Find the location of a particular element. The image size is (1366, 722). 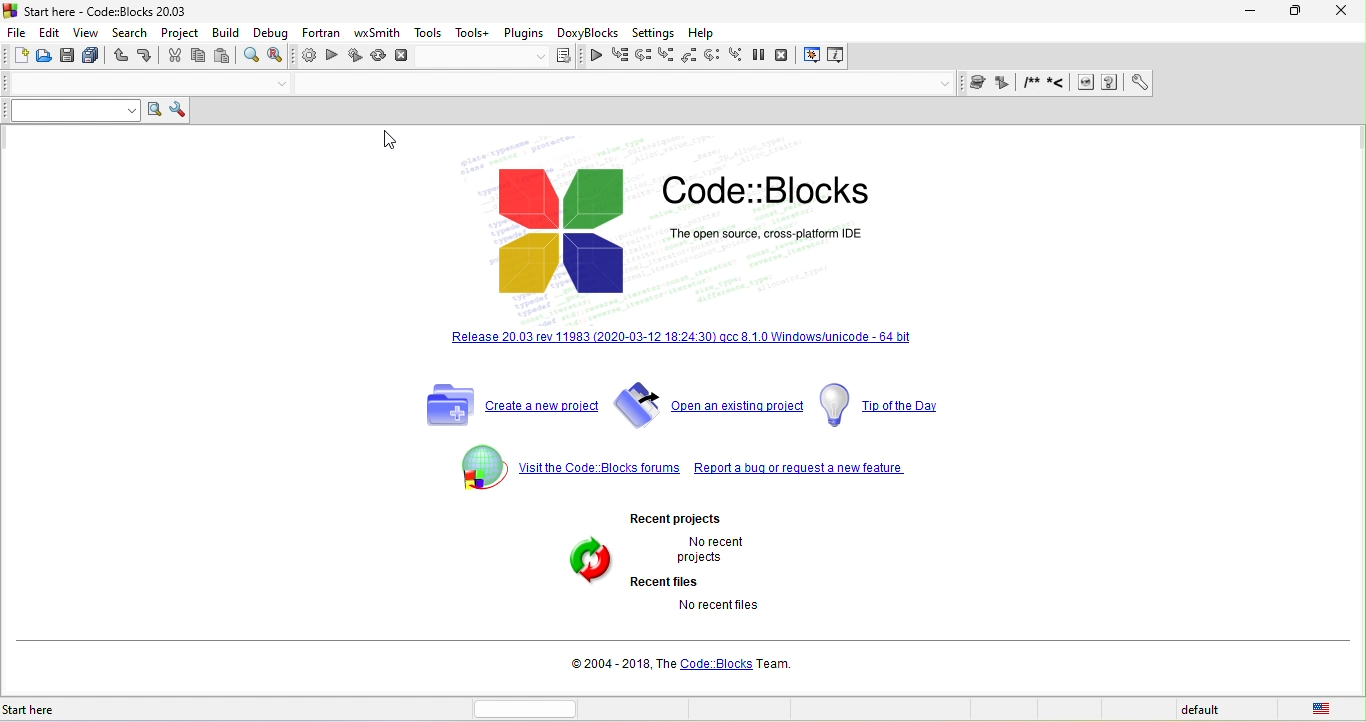

minimize is located at coordinates (1246, 11).